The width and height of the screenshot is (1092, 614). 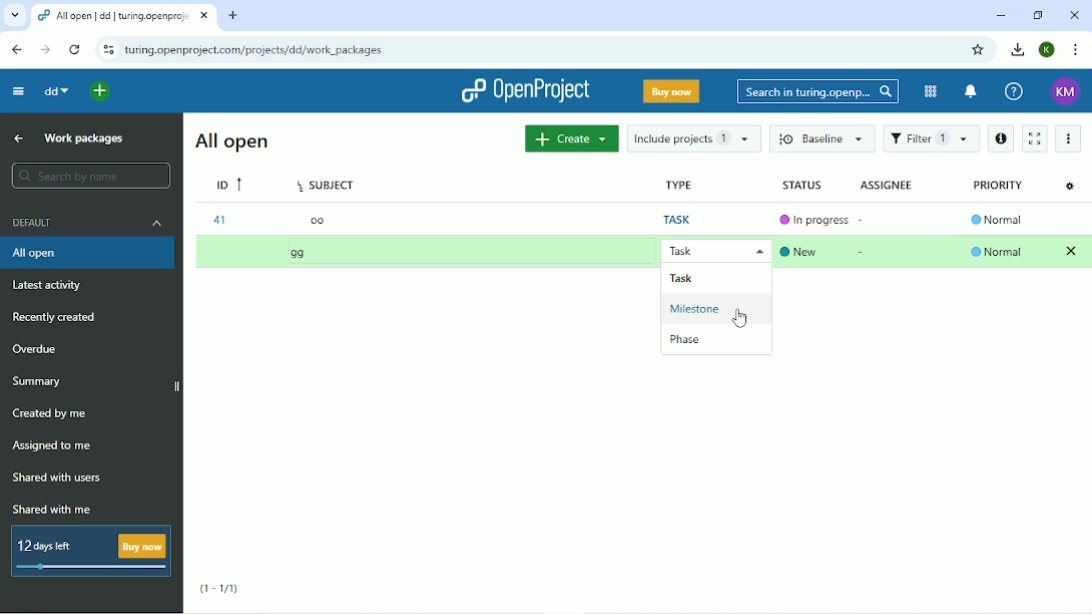 What do you see at coordinates (1018, 50) in the screenshot?
I see `Downloads` at bounding box center [1018, 50].